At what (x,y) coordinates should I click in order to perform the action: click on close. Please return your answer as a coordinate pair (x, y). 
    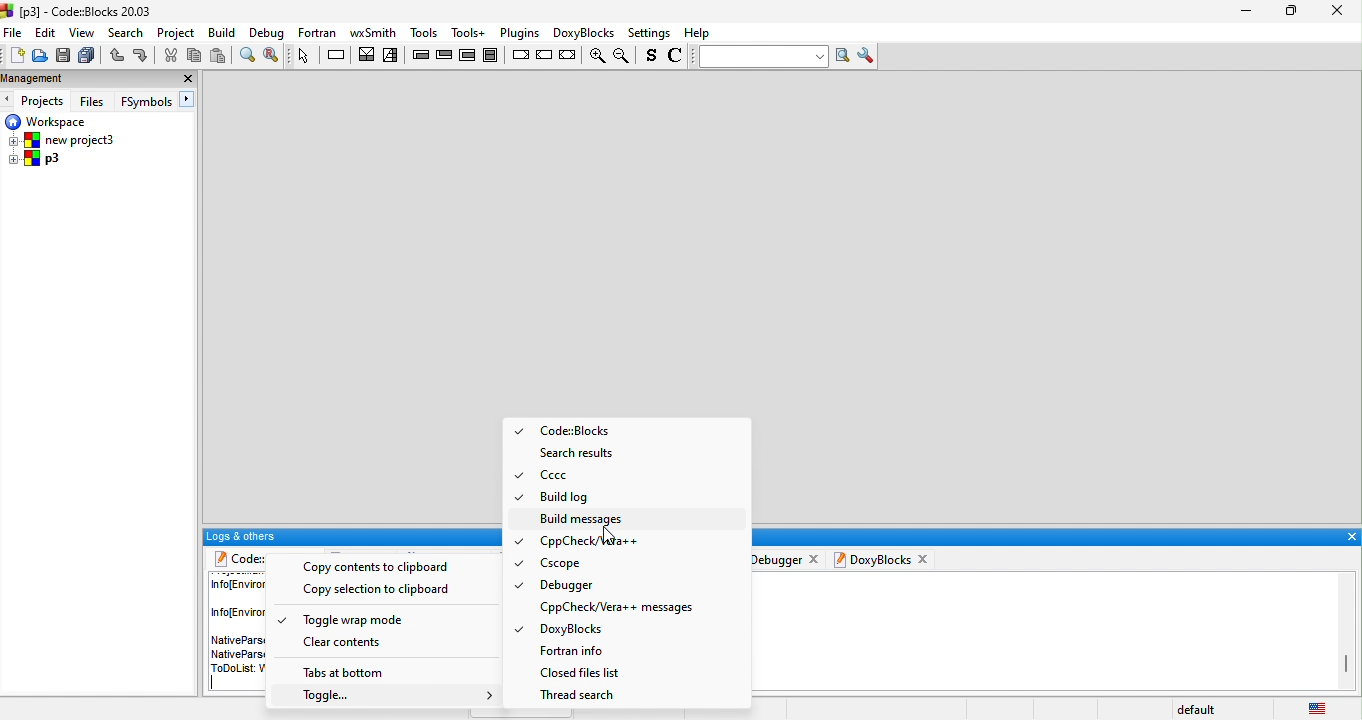
    Looking at the image, I should click on (187, 79).